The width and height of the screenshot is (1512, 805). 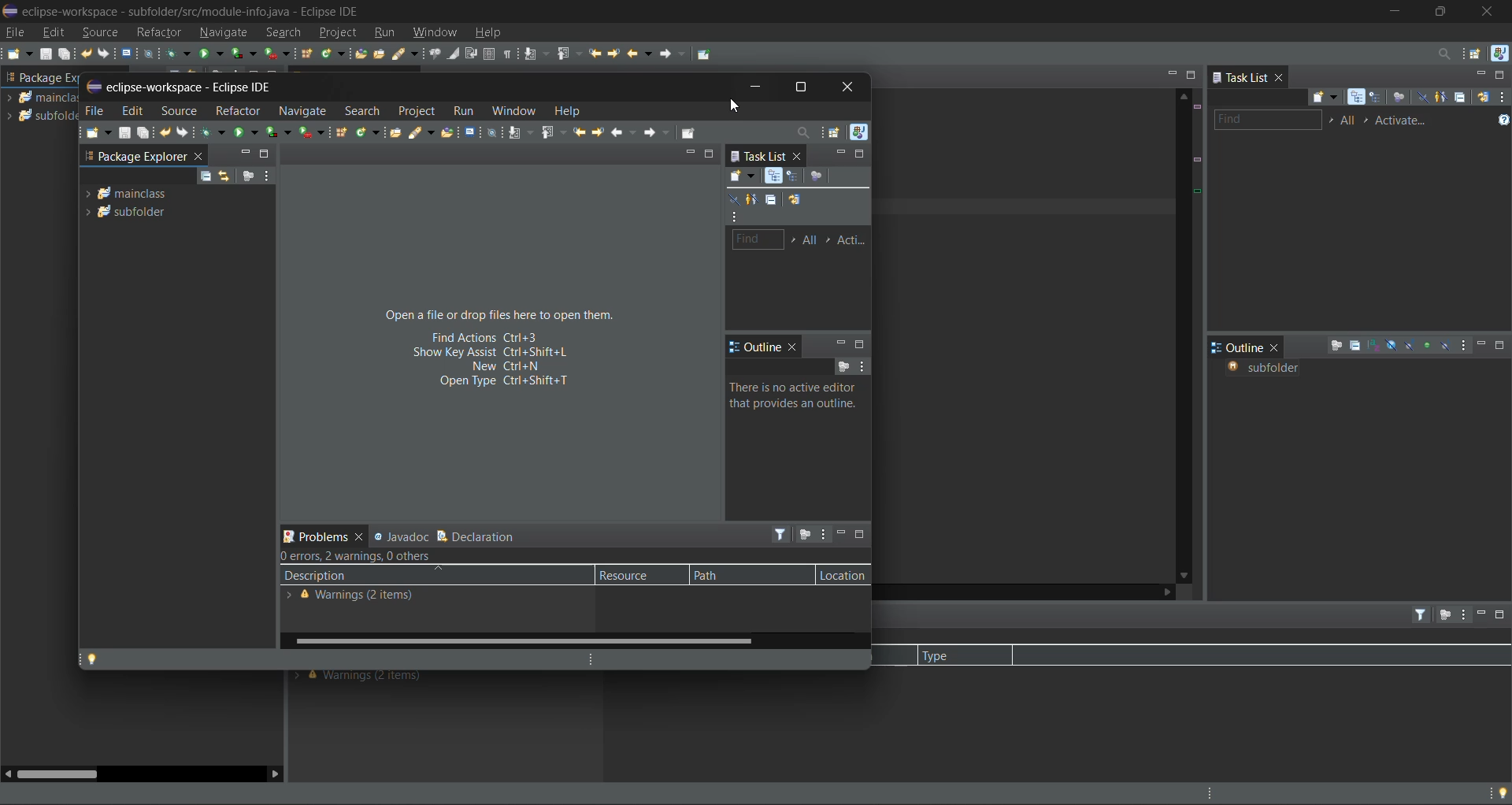 What do you see at coordinates (179, 112) in the screenshot?
I see `source` at bounding box center [179, 112].